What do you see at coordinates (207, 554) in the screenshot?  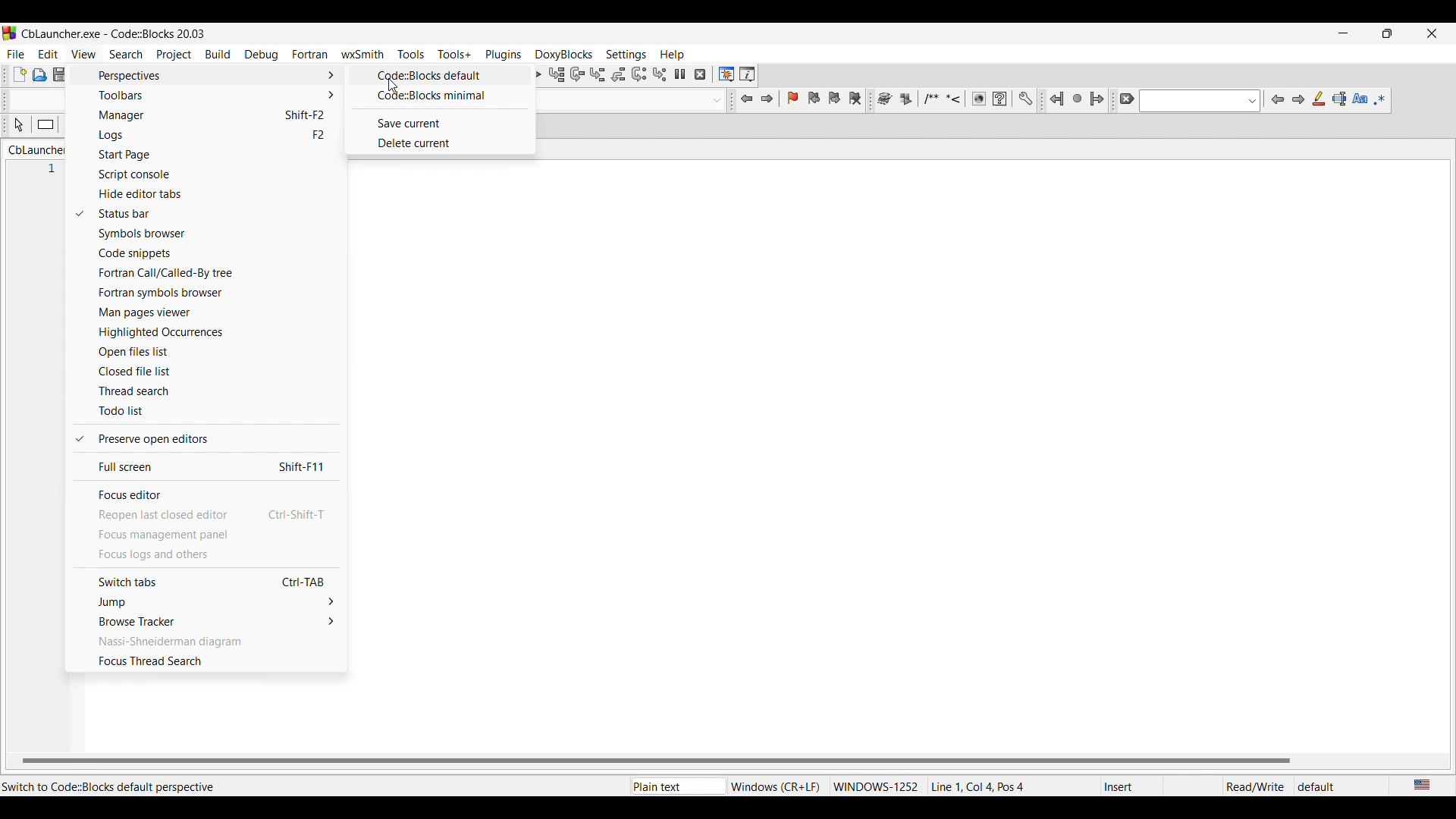 I see `Focus logs and others` at bounding box center [207, 554].